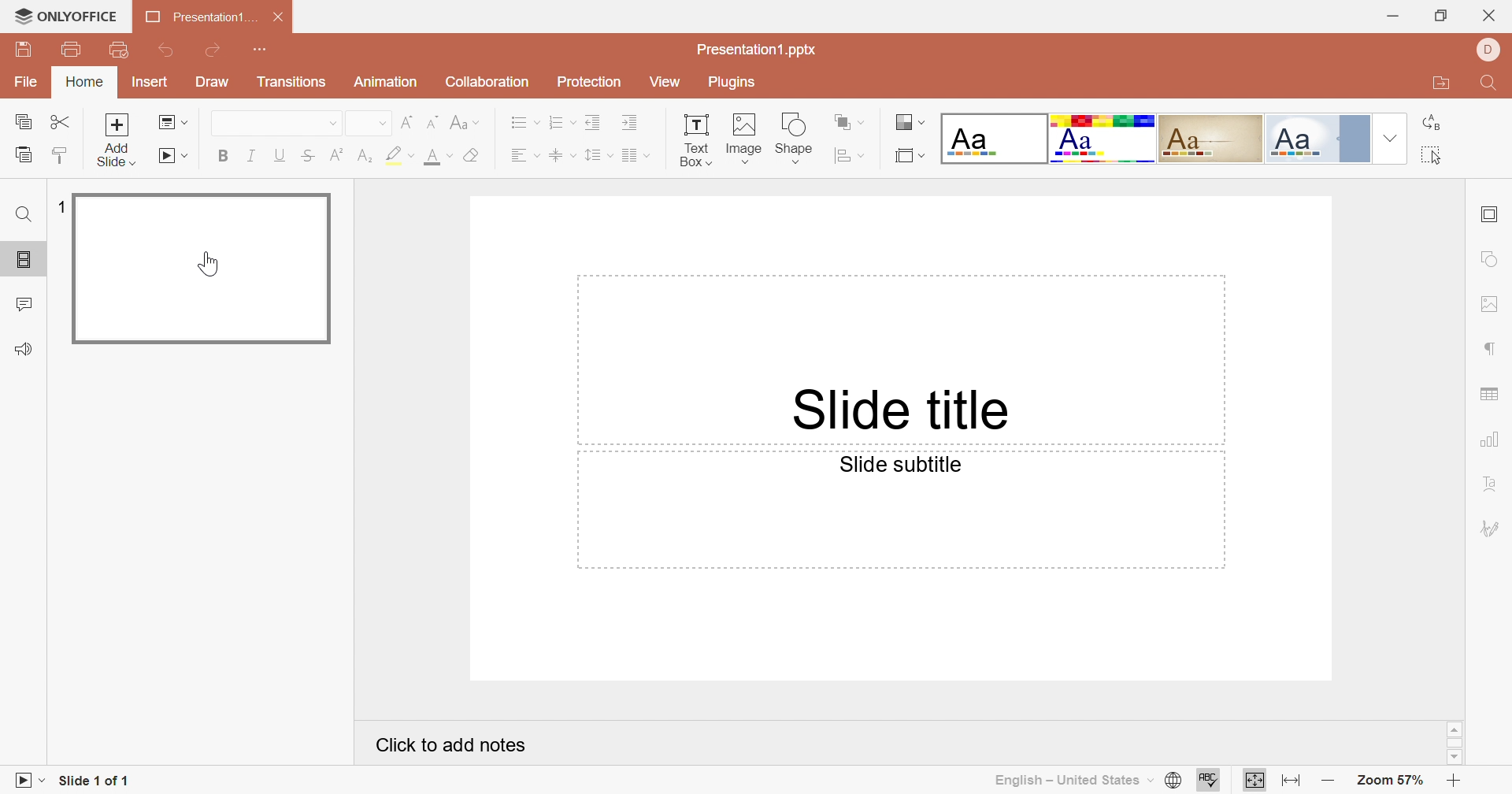  I want to click on image settings, so click(1492, 305).